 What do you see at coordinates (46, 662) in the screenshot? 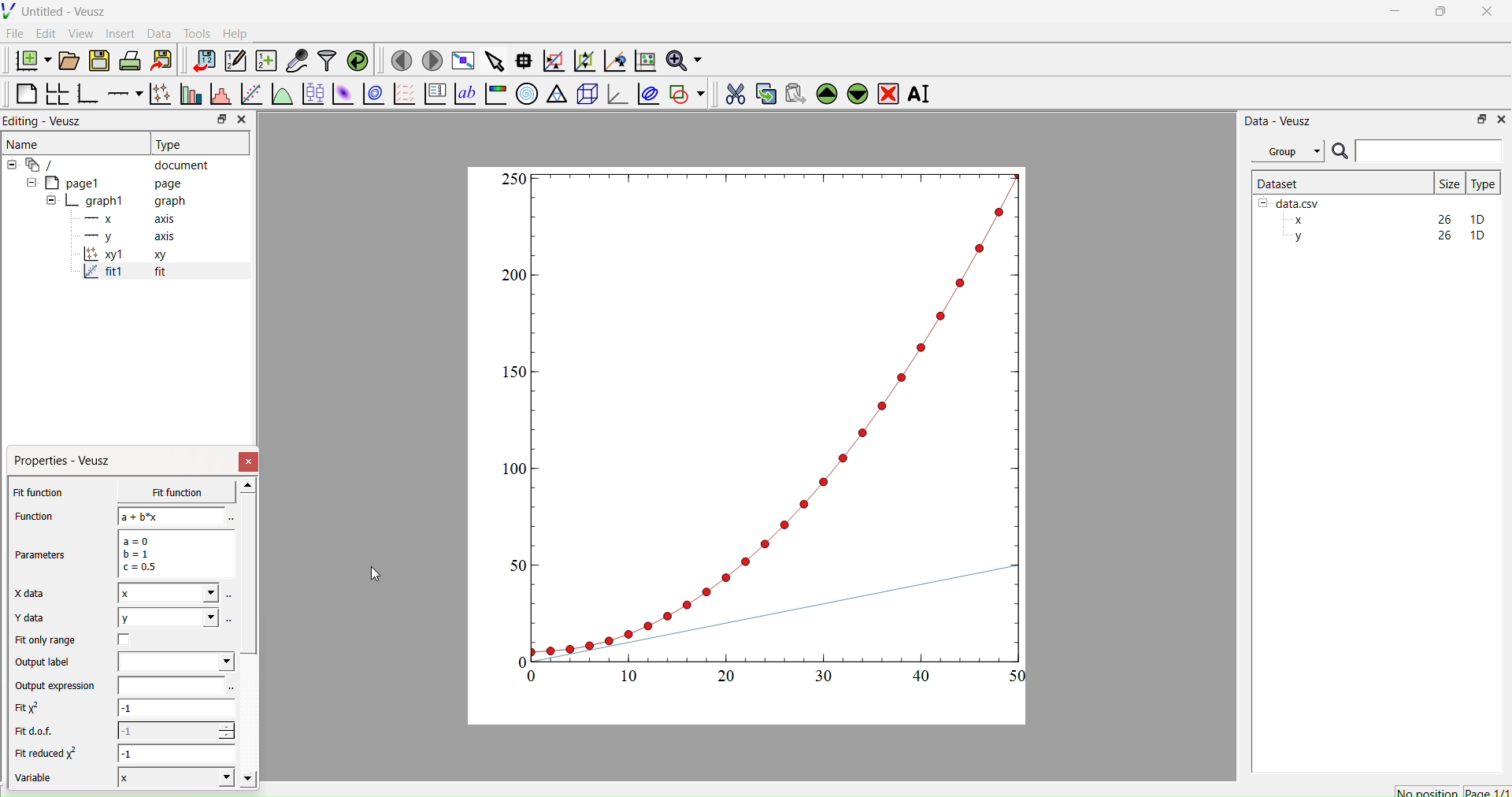
I see `Output label` at bounding box center [46, 662].